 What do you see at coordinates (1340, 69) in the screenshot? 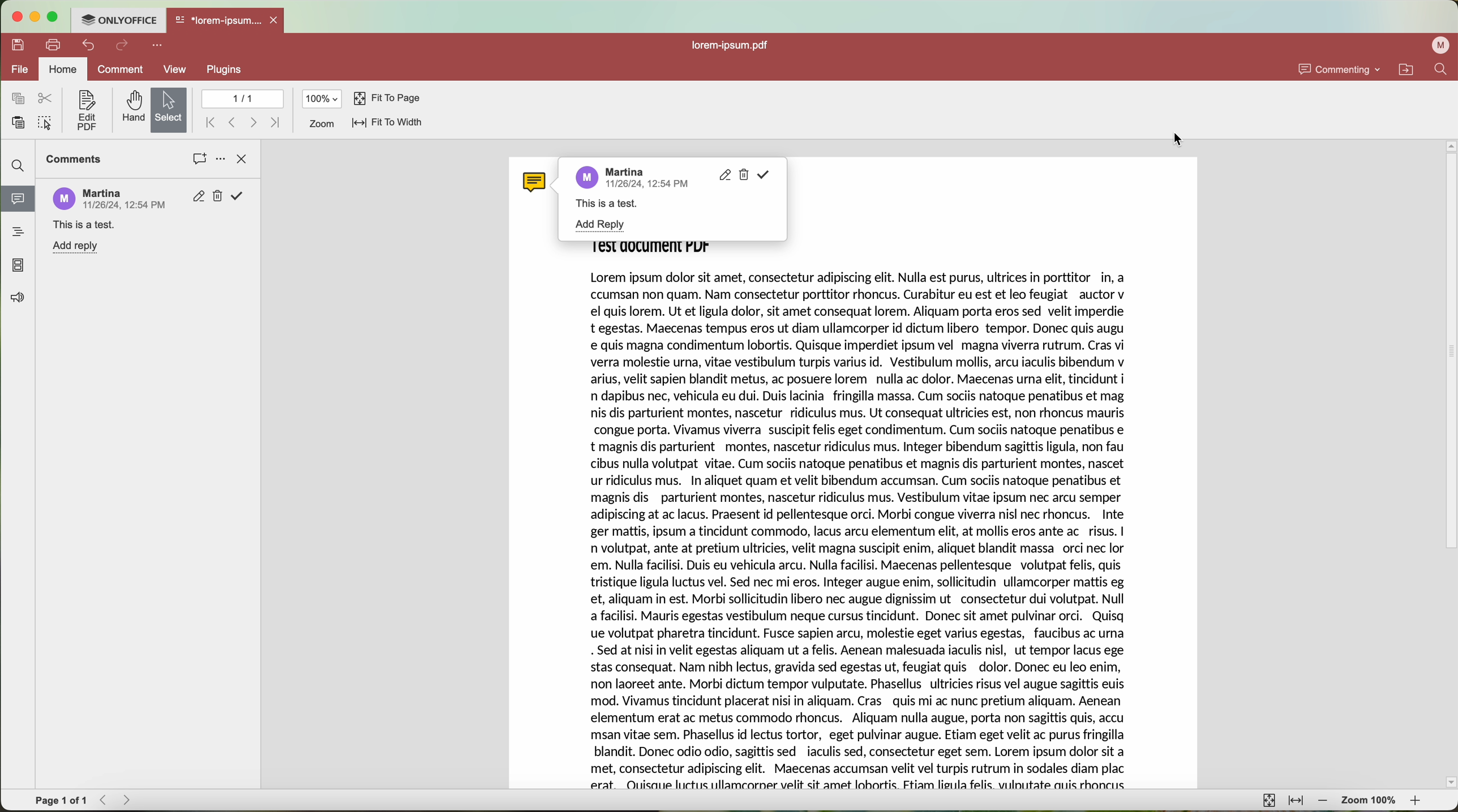
I see `commenting` at bounding box center [1340, 69].